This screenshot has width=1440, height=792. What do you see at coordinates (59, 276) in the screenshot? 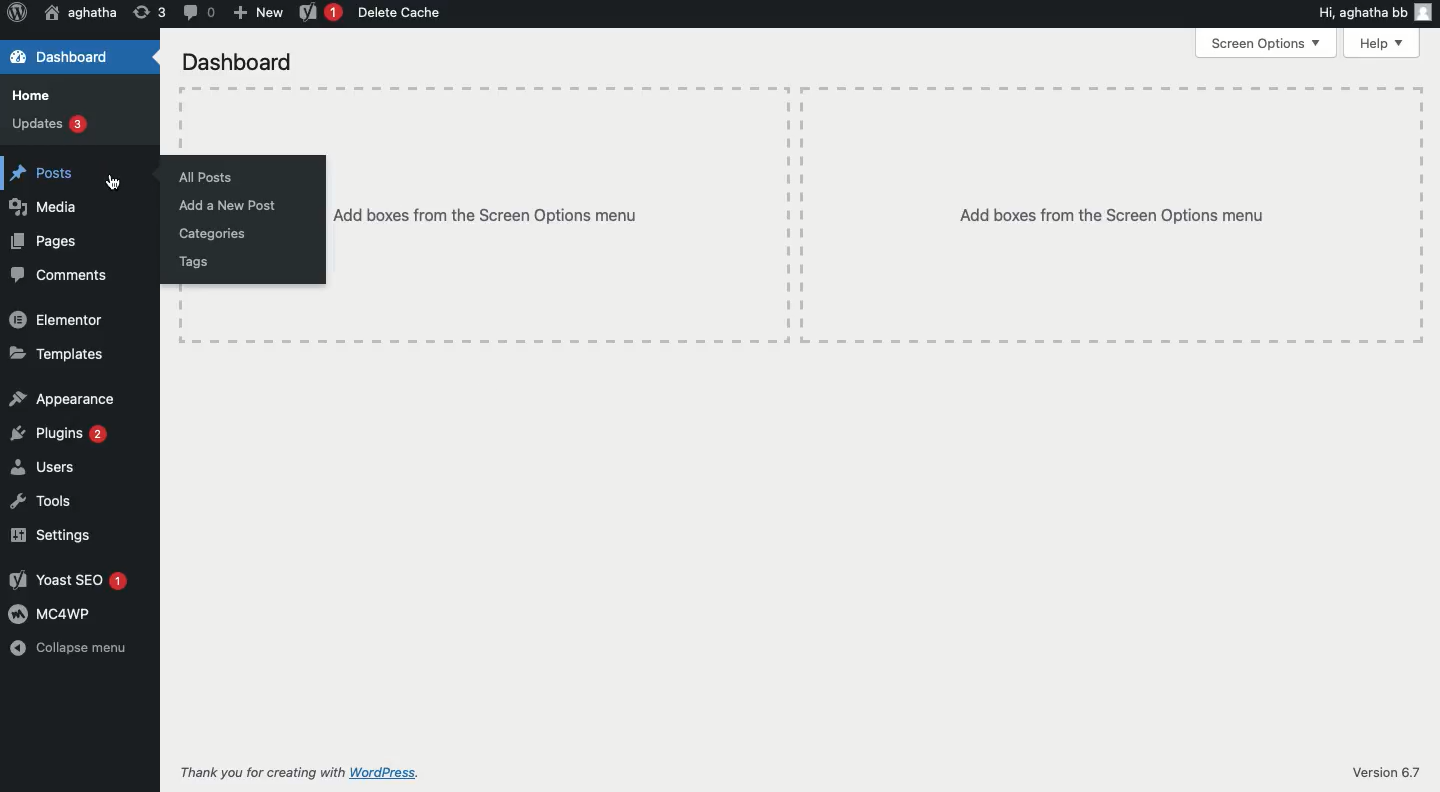
I see `Comments` at bounding box center [59, 276].